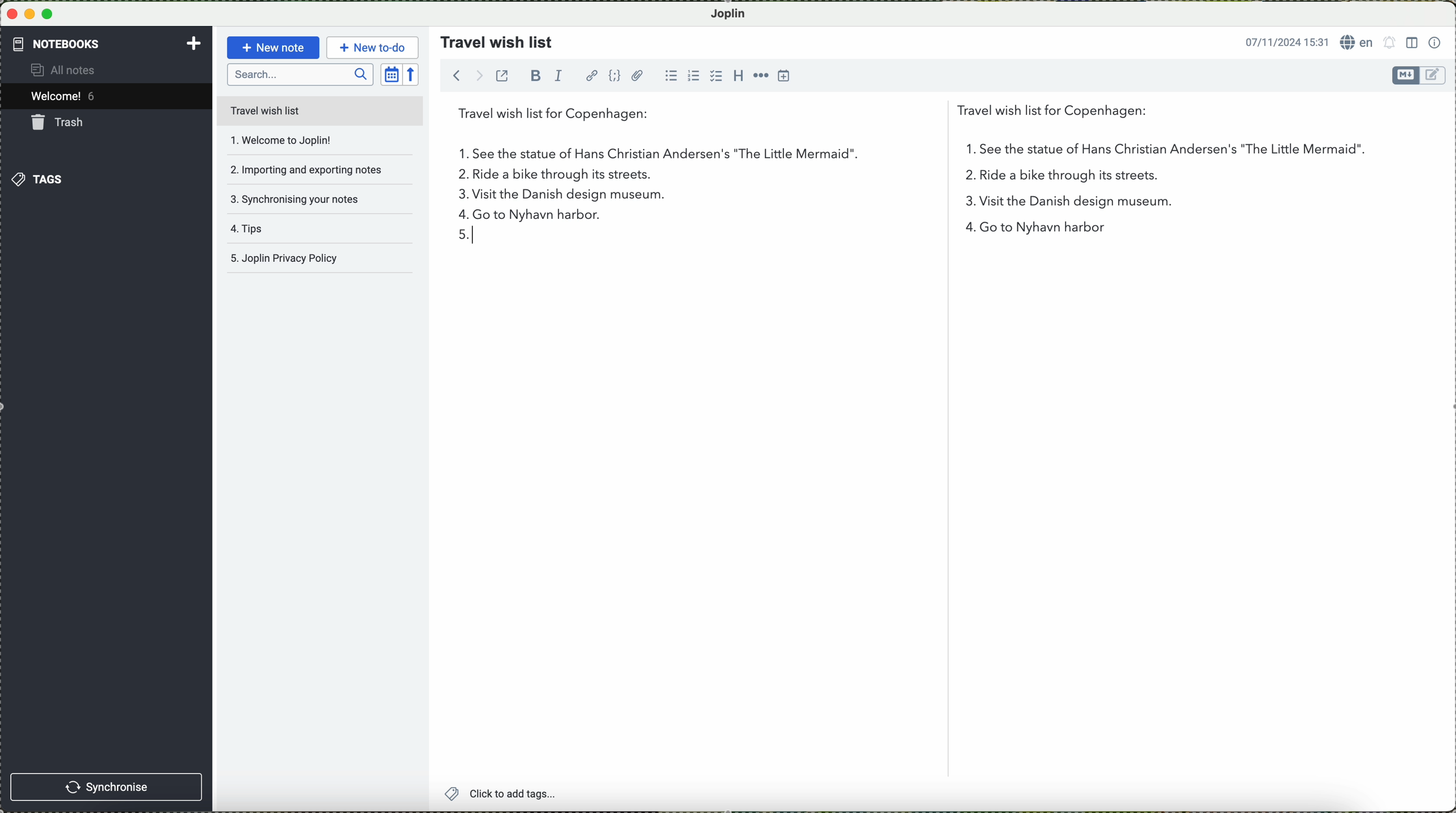 This screenshot has height=813, width=1456. I want to click on Joplin, so click(734, 13).